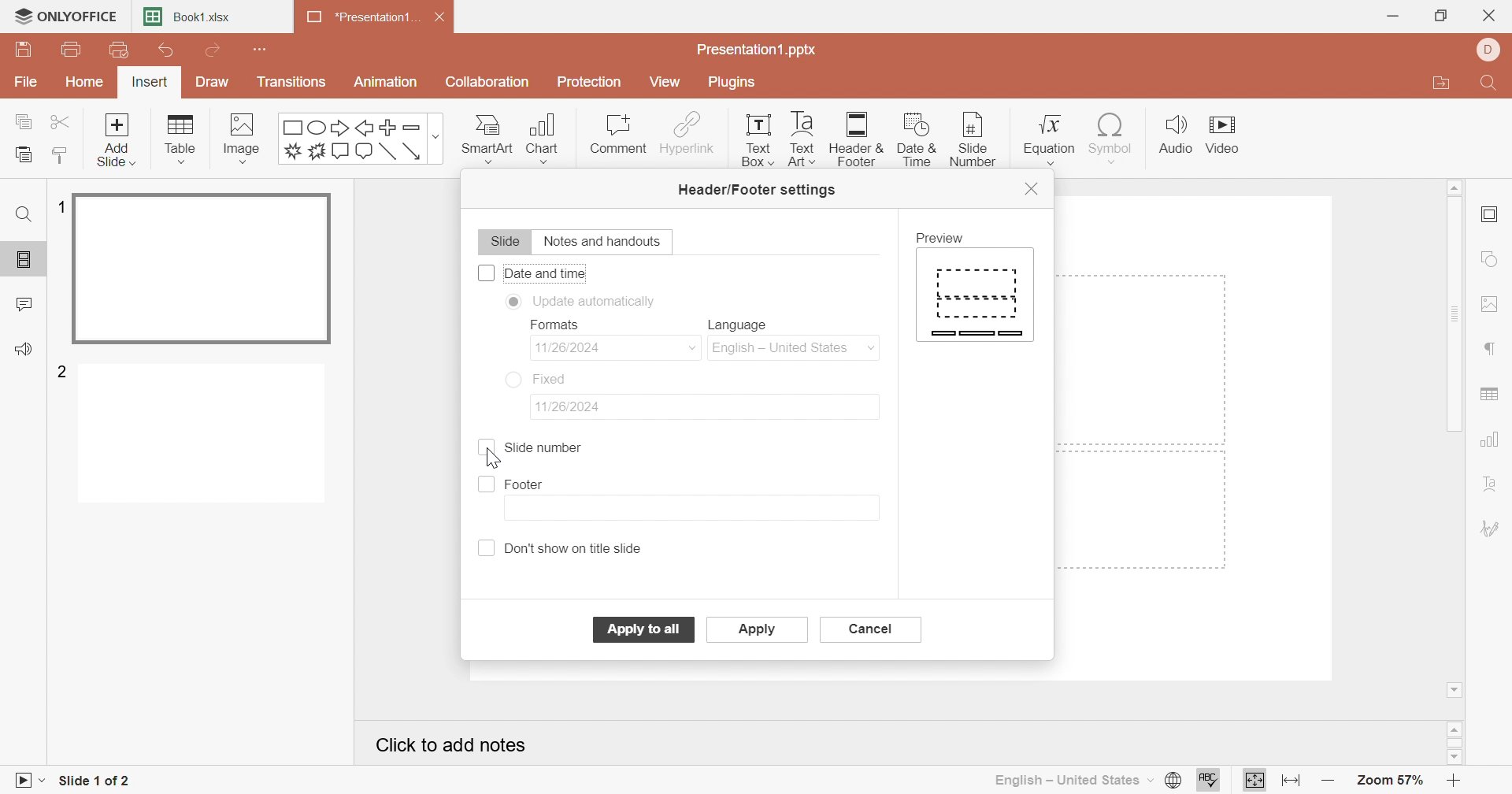 The height and width of the screenshot is (794, 1512). Describe the element at coordinates (598, 300) in the screenshot. I see `Update automatically` at that location.